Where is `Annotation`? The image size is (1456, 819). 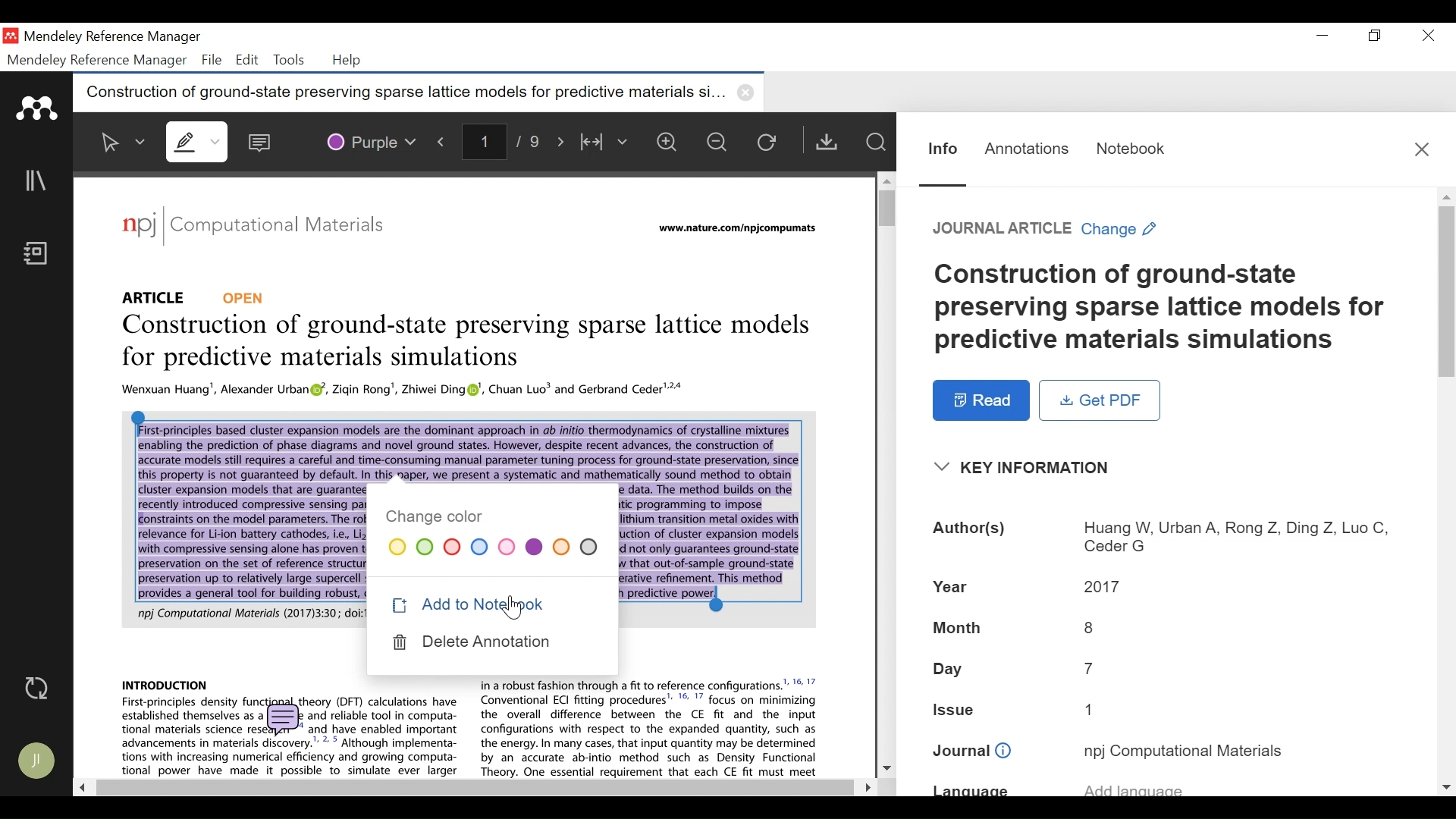 Annotation is located at coordinates (1027, 149).